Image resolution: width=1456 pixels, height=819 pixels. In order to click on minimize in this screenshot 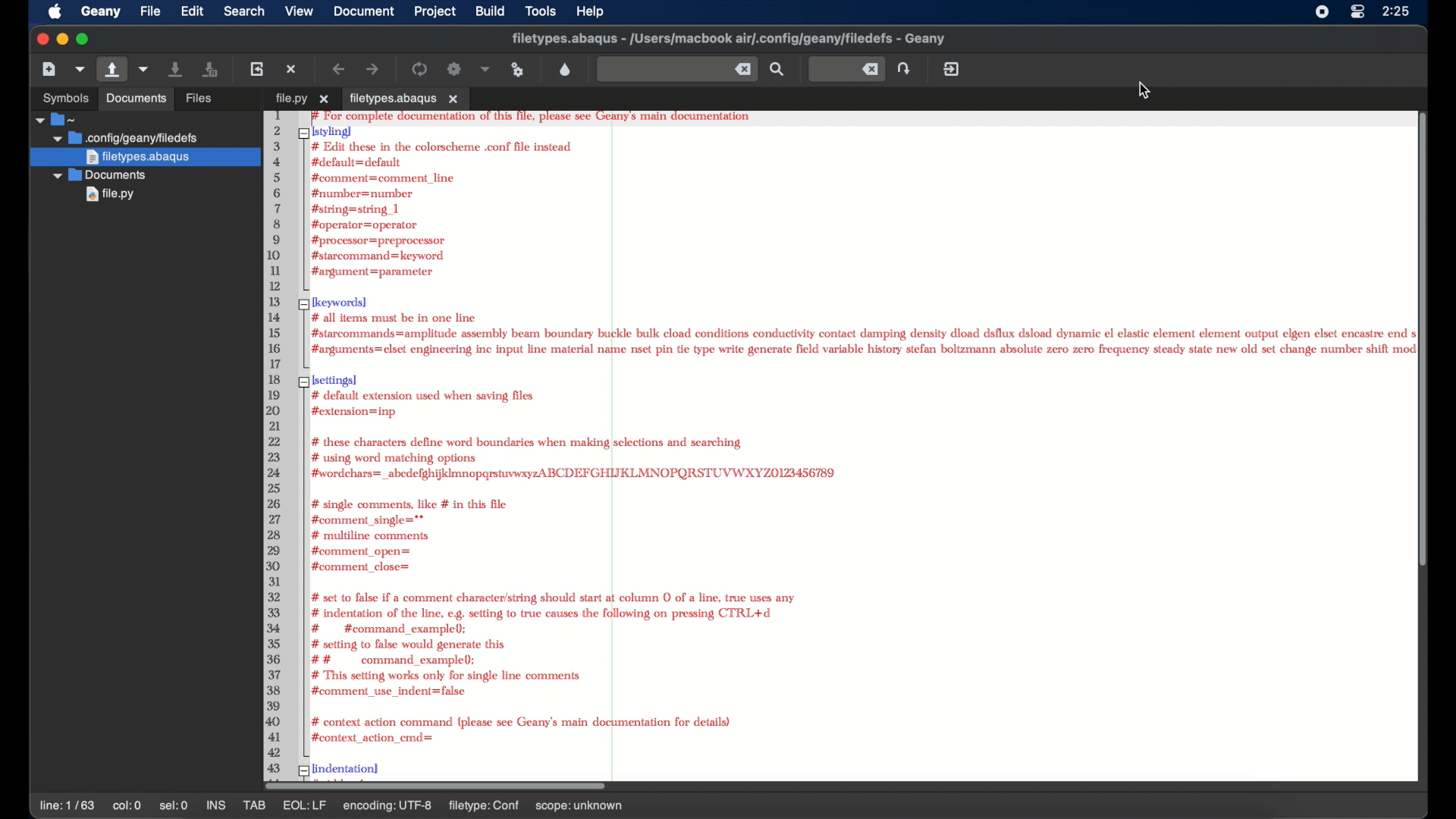, I will do `click(61, 39)`.